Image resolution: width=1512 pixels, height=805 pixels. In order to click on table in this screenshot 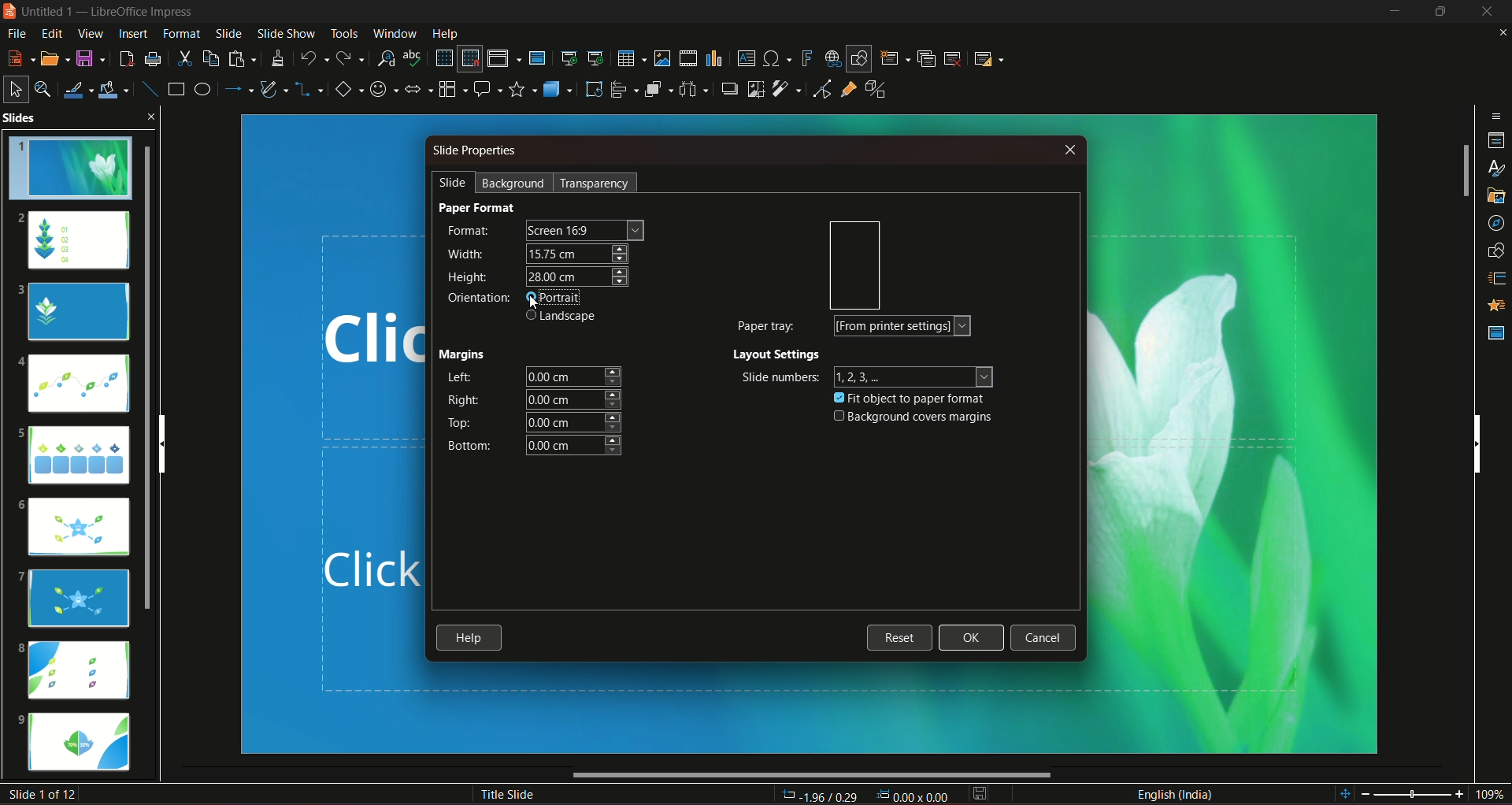, I will do `click(629, 57)`.